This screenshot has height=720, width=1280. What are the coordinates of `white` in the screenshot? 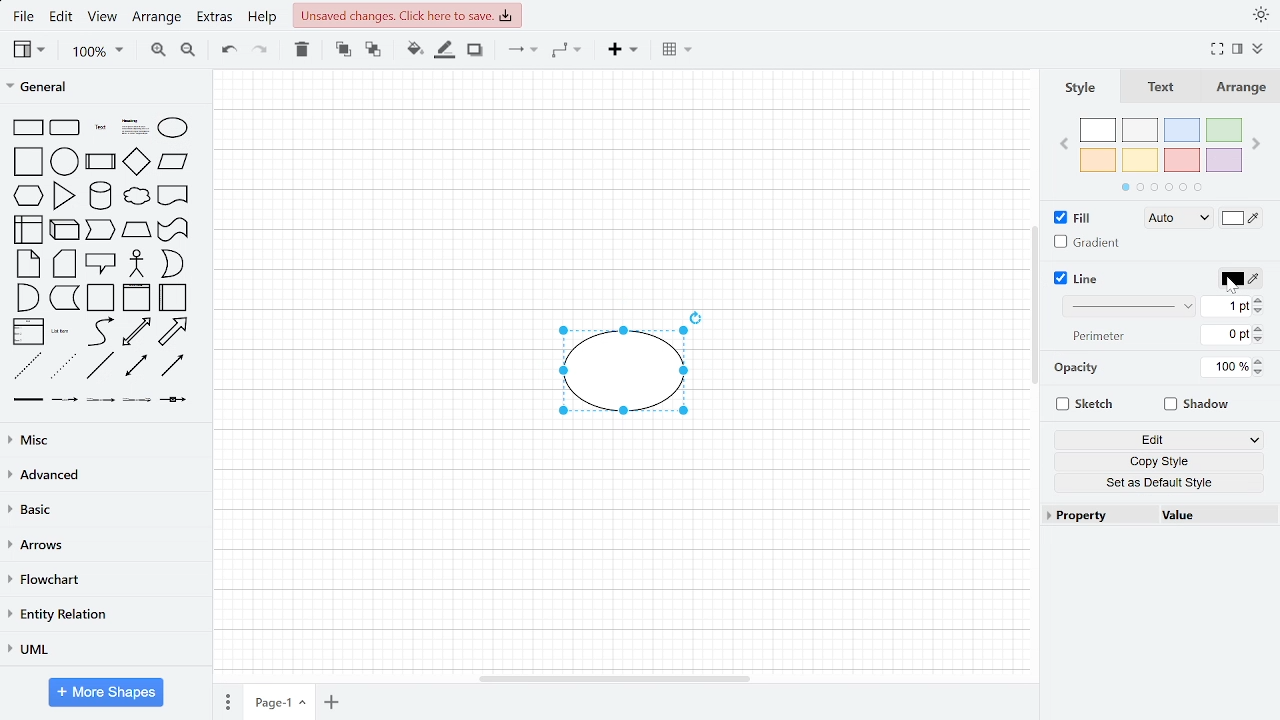 It's located at (1098, 131).